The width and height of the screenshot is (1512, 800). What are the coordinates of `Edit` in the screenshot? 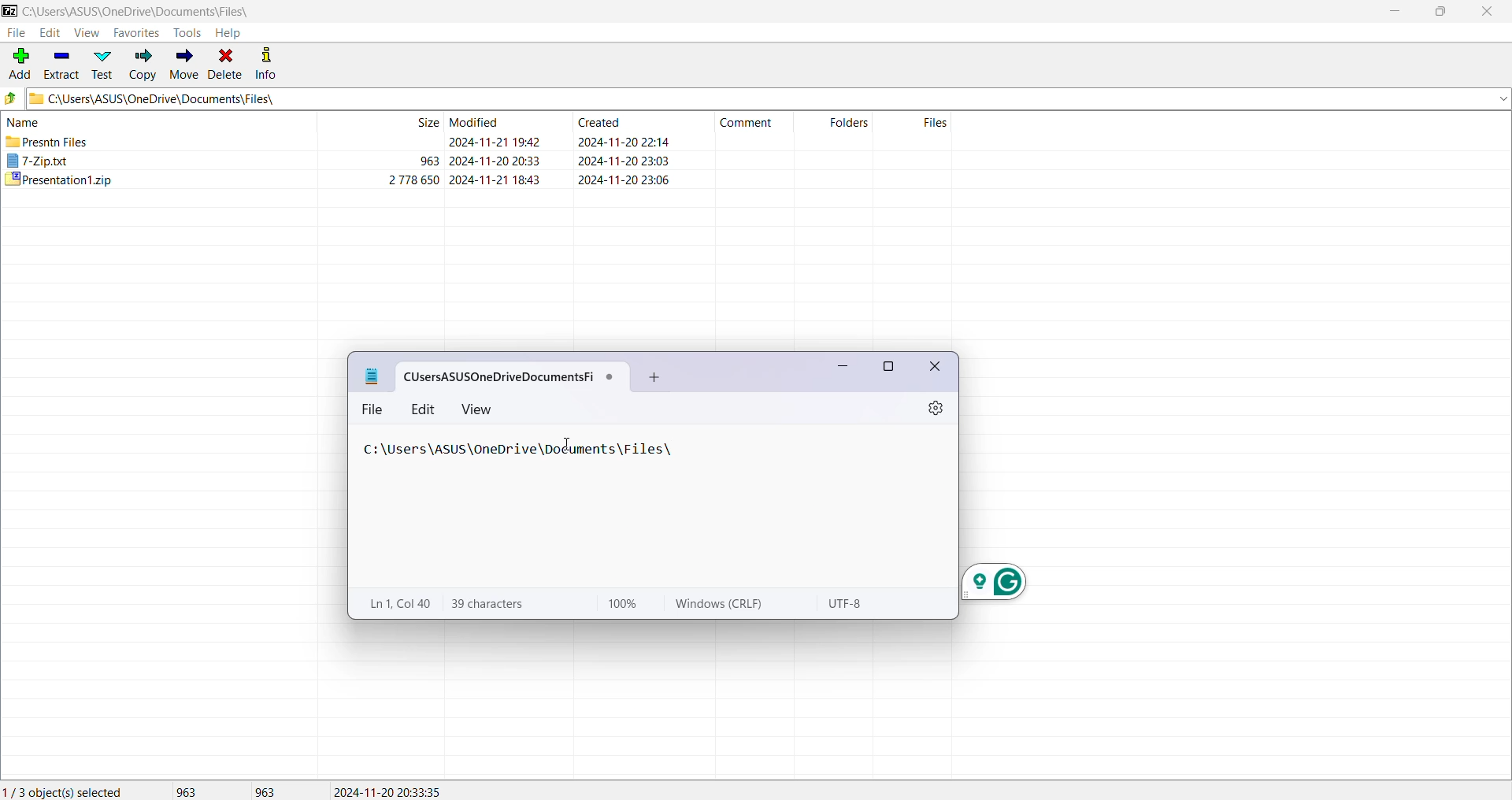 It's located at (50, 33).